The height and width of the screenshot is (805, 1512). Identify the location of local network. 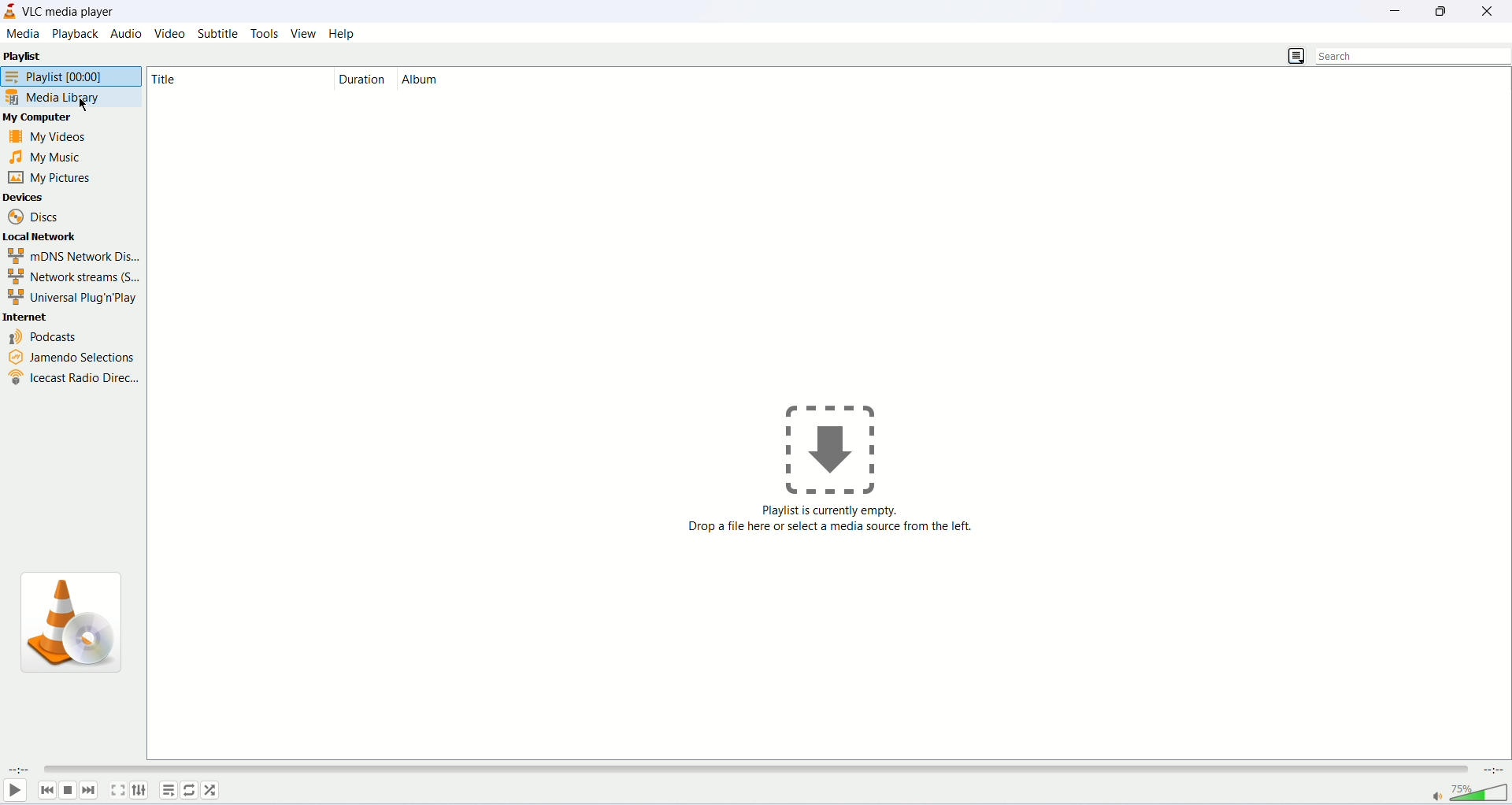
(41, 236).